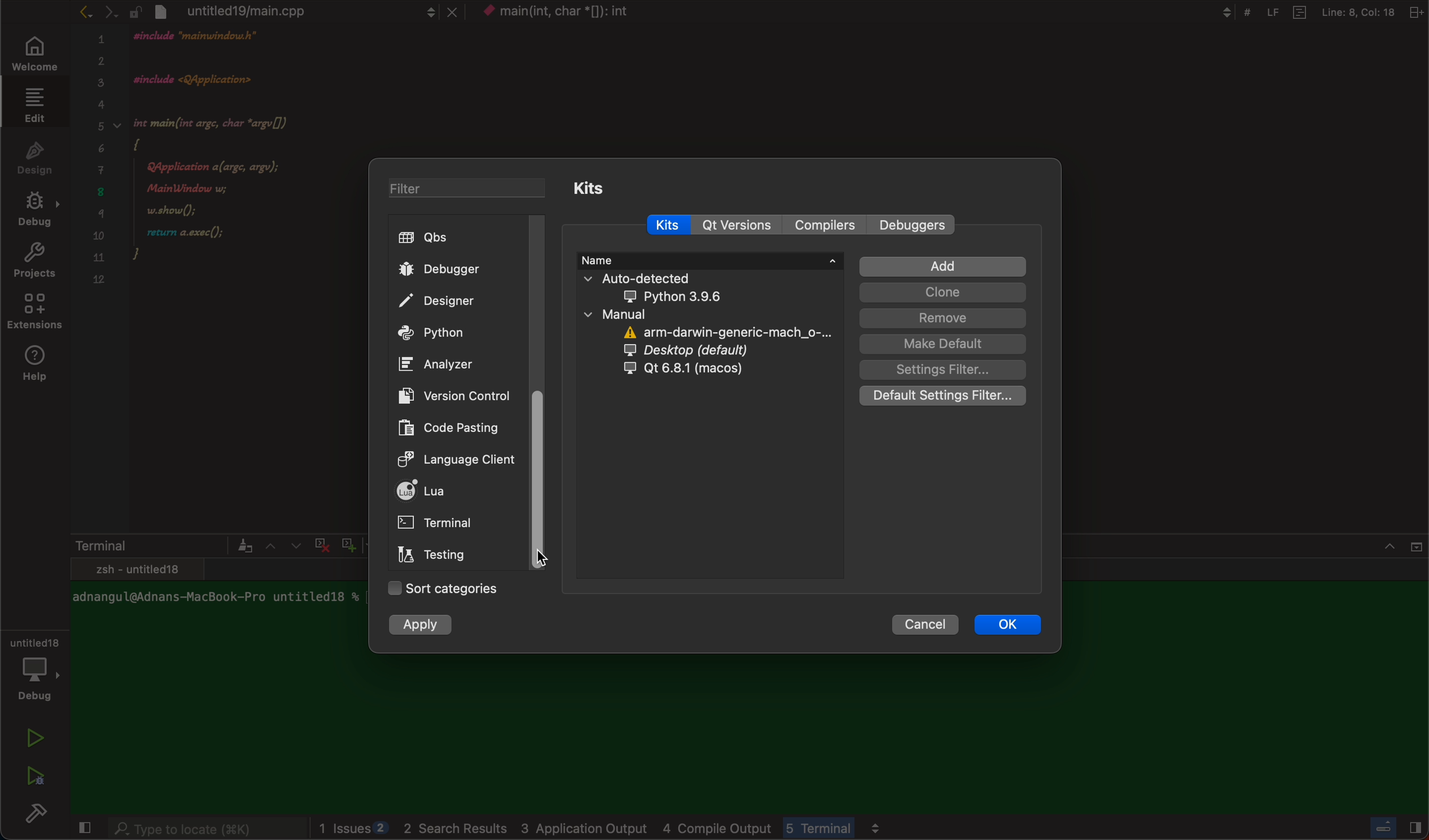 The width and height of the screenshot is (1429, 840). Describe the element at coordinates (1392, 830) in the screenshot. I see `` at that location.